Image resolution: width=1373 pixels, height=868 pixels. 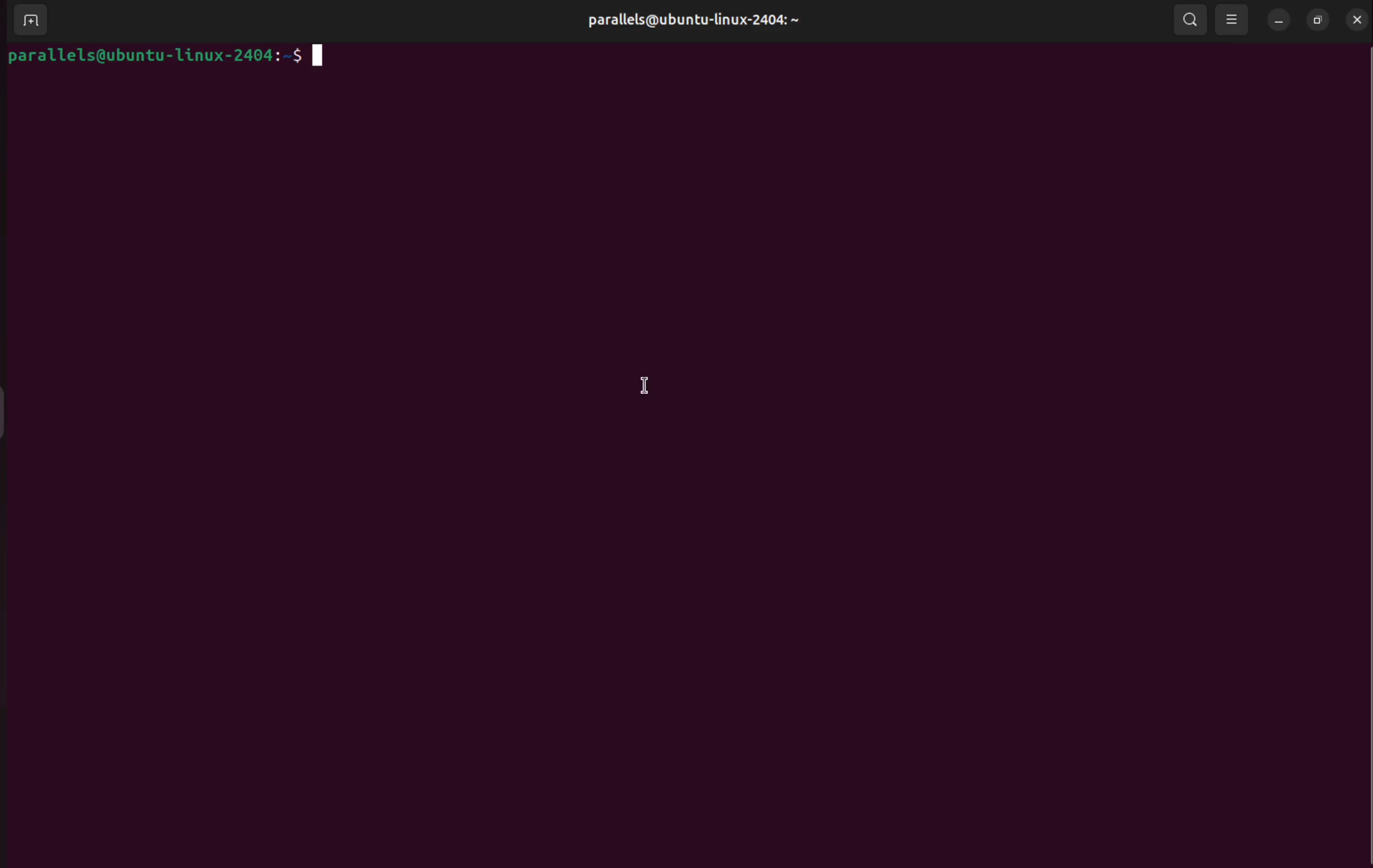 I want to click on close, so click(x=1358, y=18).